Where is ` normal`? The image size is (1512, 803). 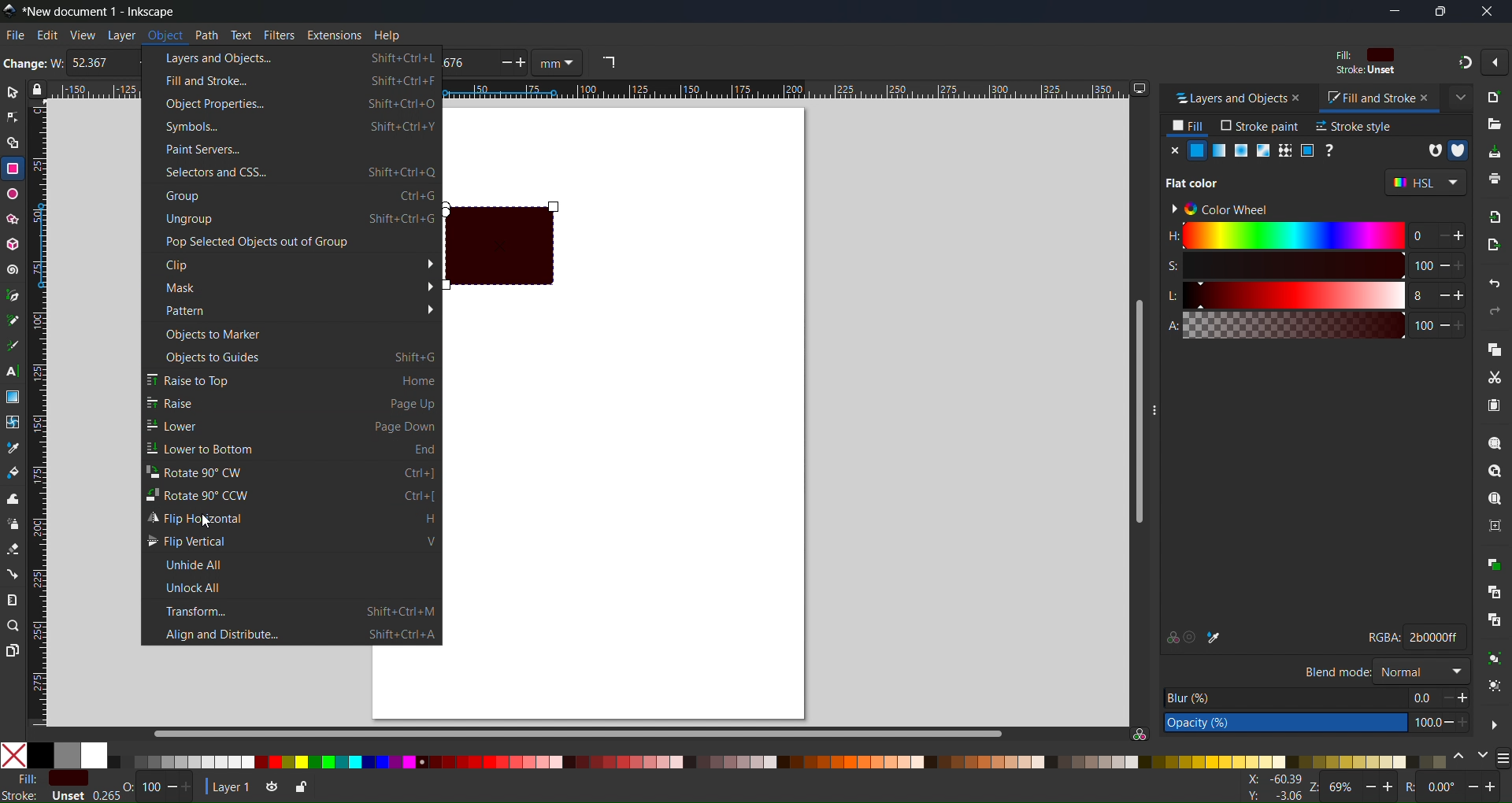
 normal is located at coordinates (1421, 670).